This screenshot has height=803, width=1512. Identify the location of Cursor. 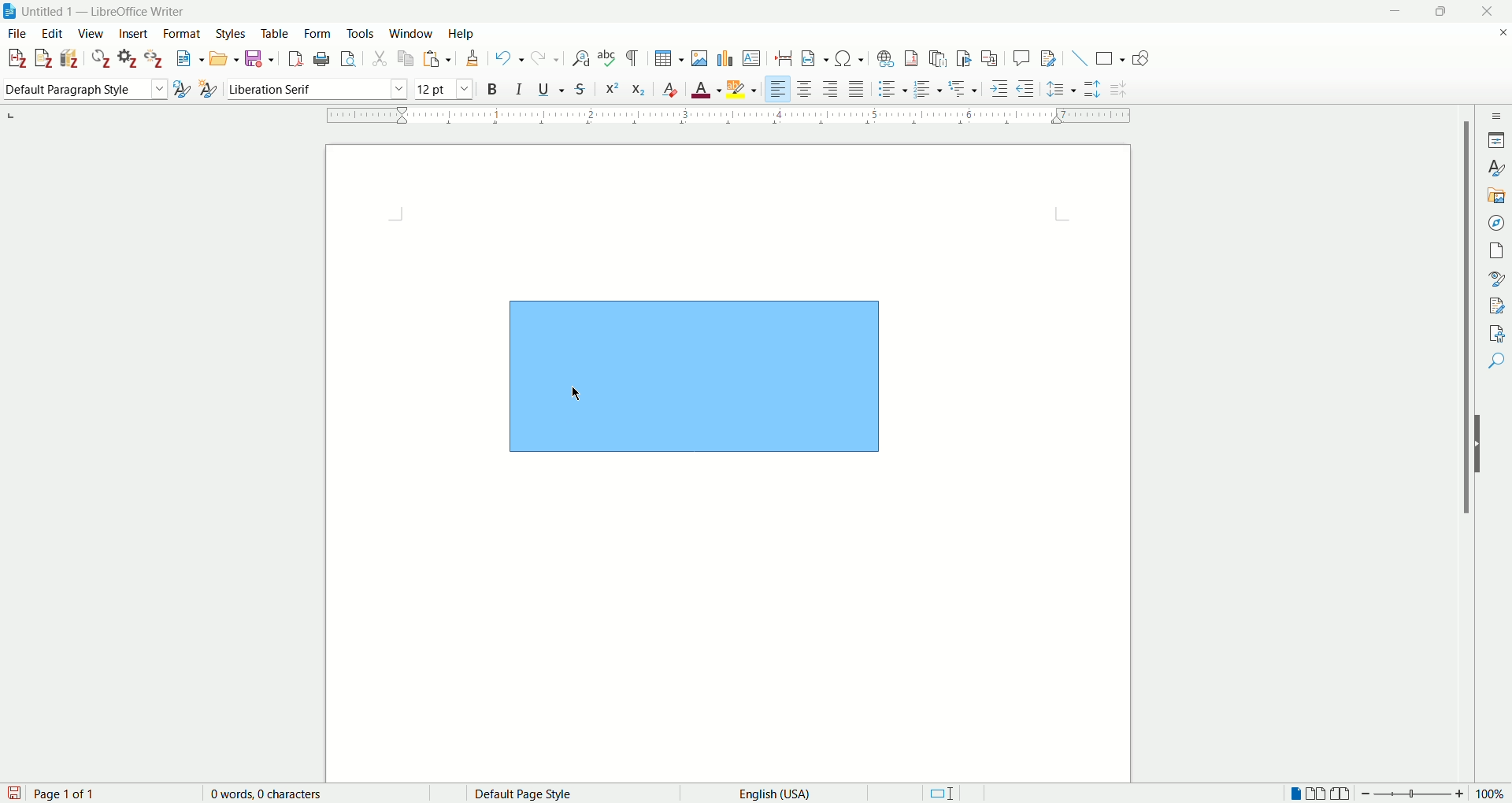
(576, 392).